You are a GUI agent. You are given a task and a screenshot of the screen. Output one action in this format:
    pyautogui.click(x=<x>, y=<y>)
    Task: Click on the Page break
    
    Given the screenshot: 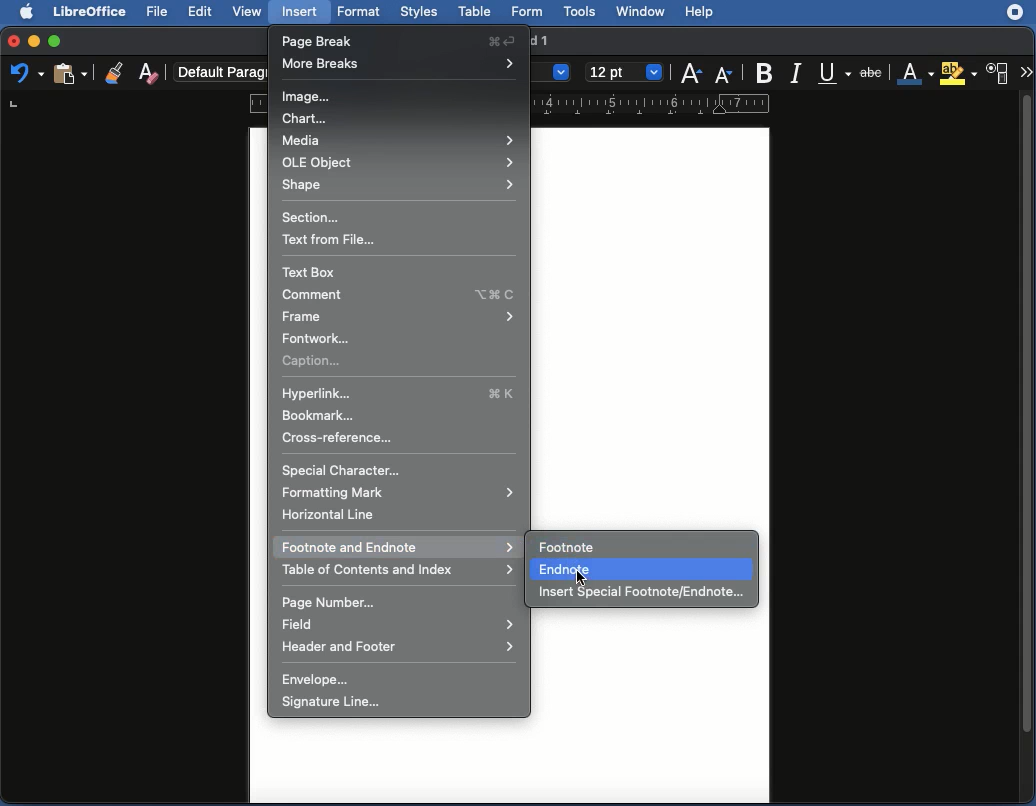 What is the action you would take?
    pyautogui.click(x=401, y=40)
    